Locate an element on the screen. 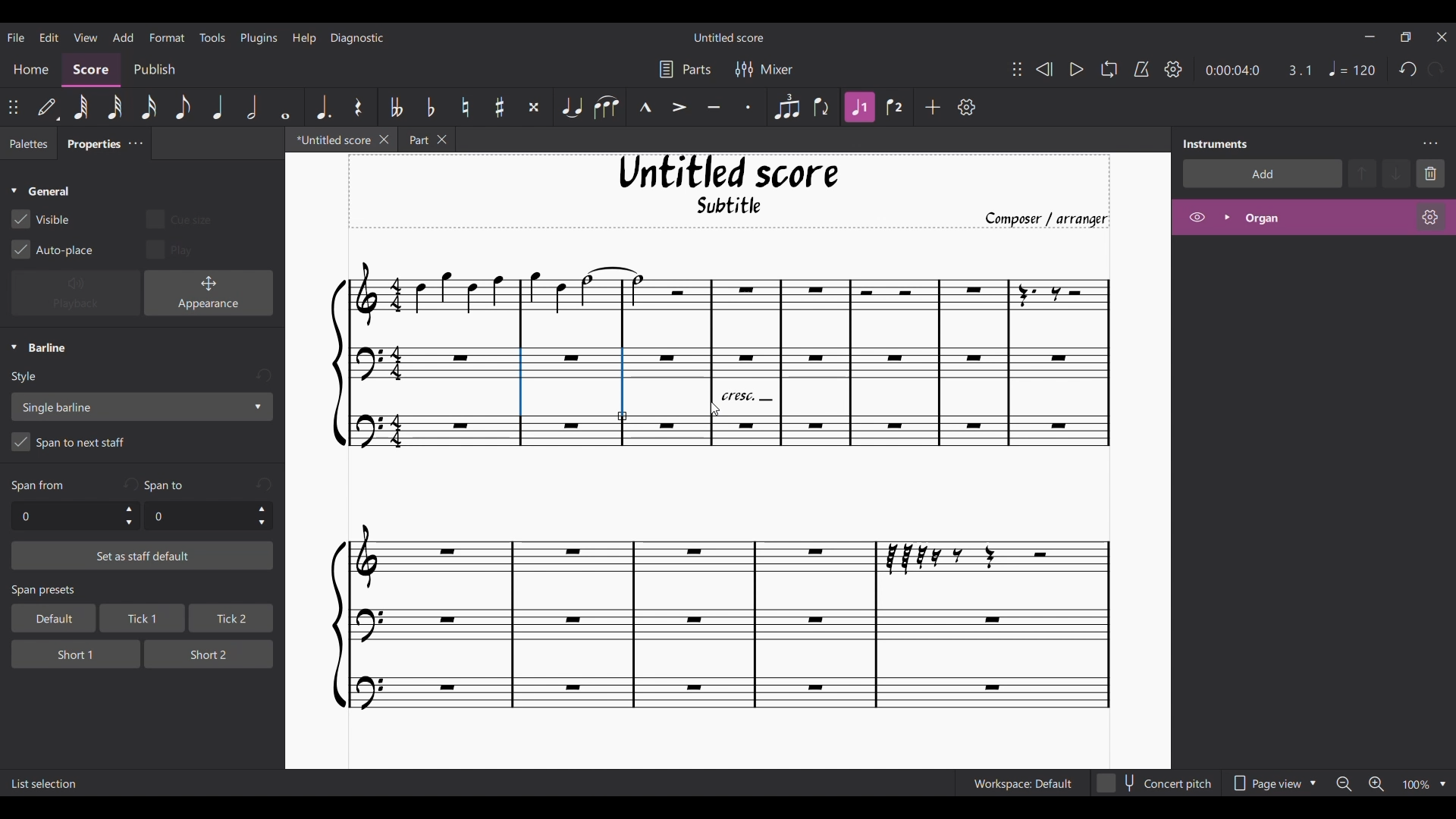  Subtitle is located at coordinates (731, 209).